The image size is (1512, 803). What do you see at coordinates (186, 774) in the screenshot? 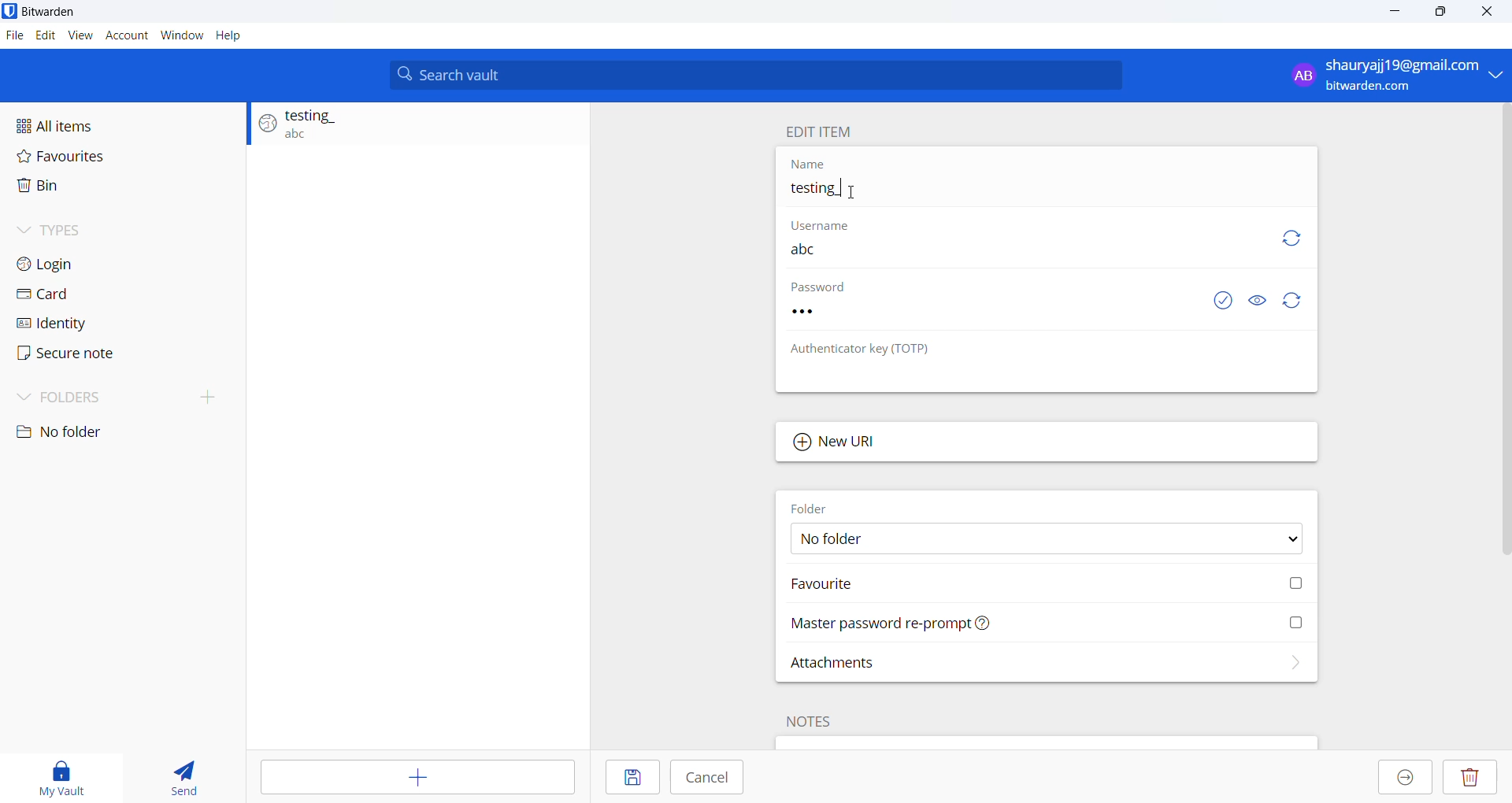
I see `send` at bounding box center [186, 774].